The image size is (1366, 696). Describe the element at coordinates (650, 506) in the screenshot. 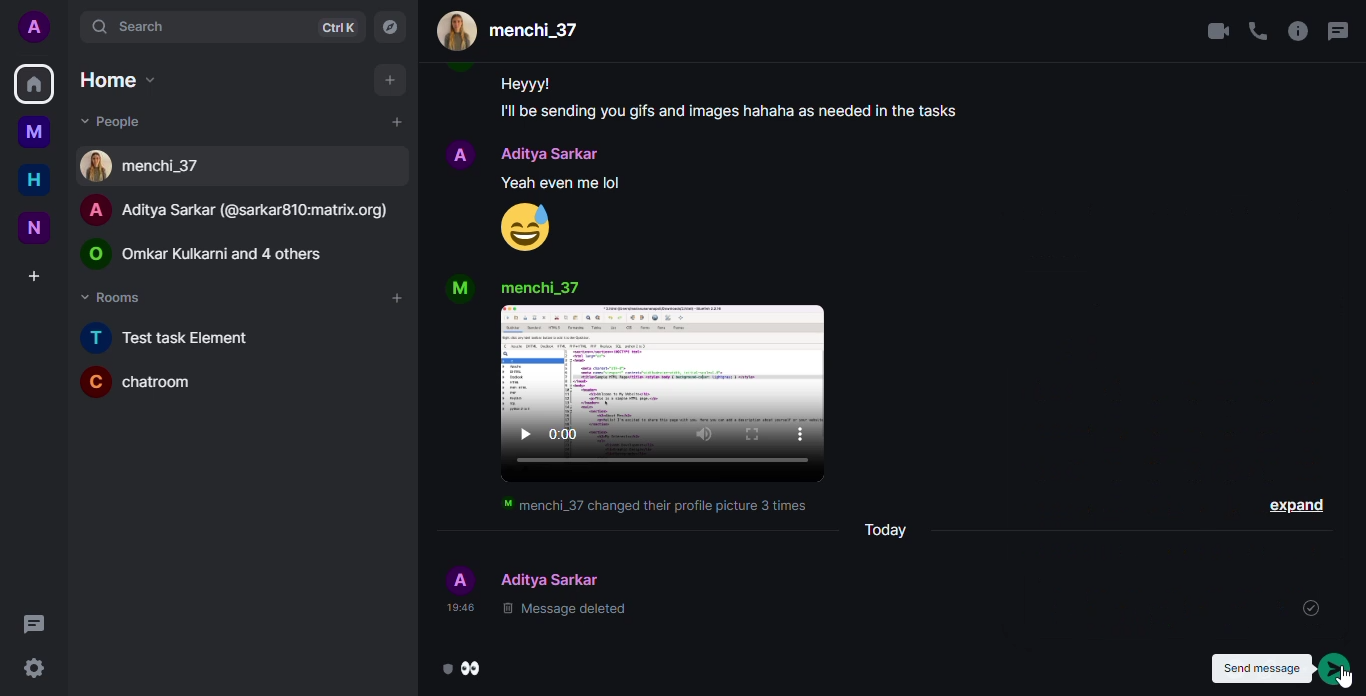

I see `menchi_37 changed their profile picture 3 times` at that location.